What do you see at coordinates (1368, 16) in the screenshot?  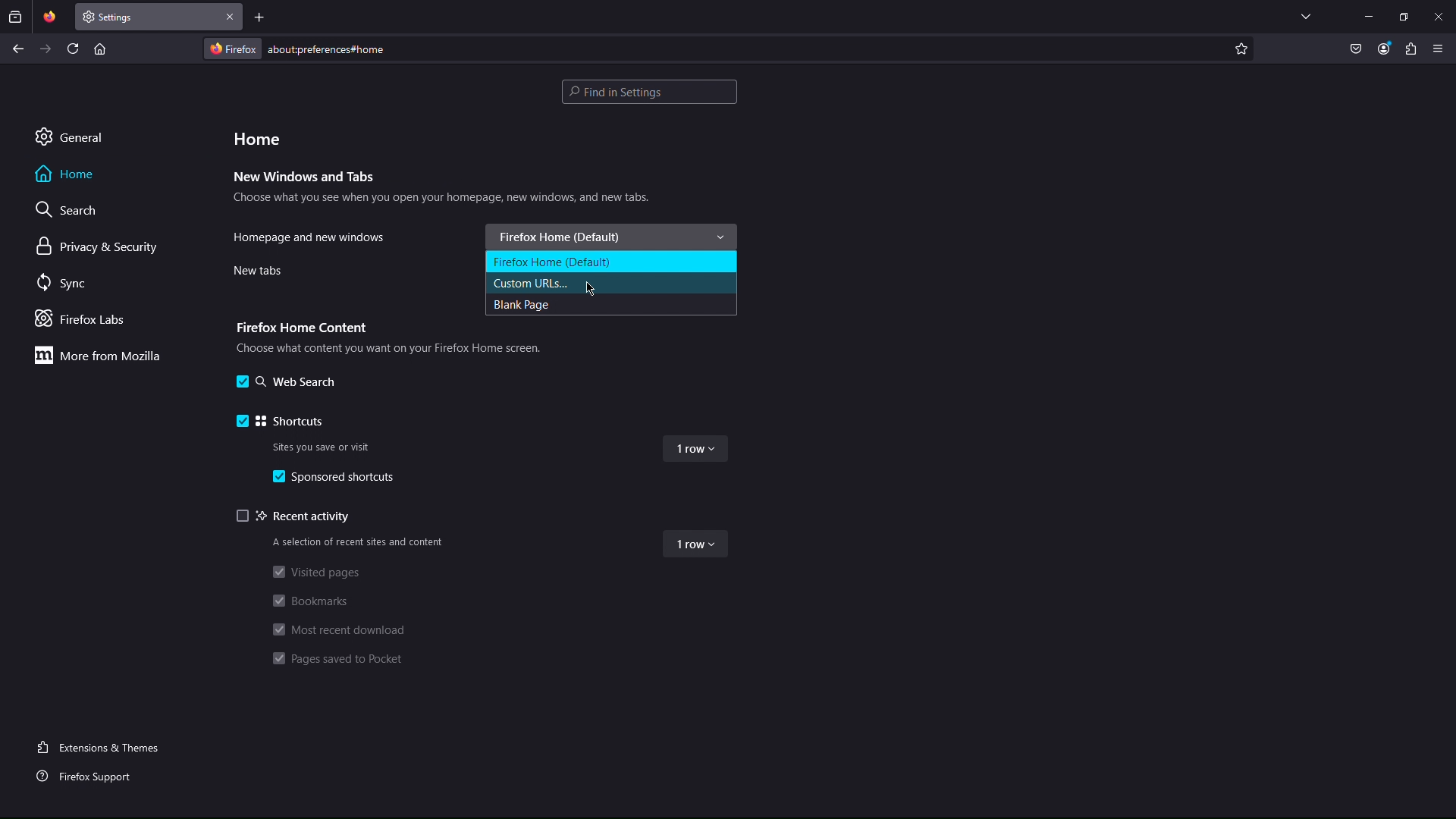 I see `Minimize` at bounding box center [1368, 16].